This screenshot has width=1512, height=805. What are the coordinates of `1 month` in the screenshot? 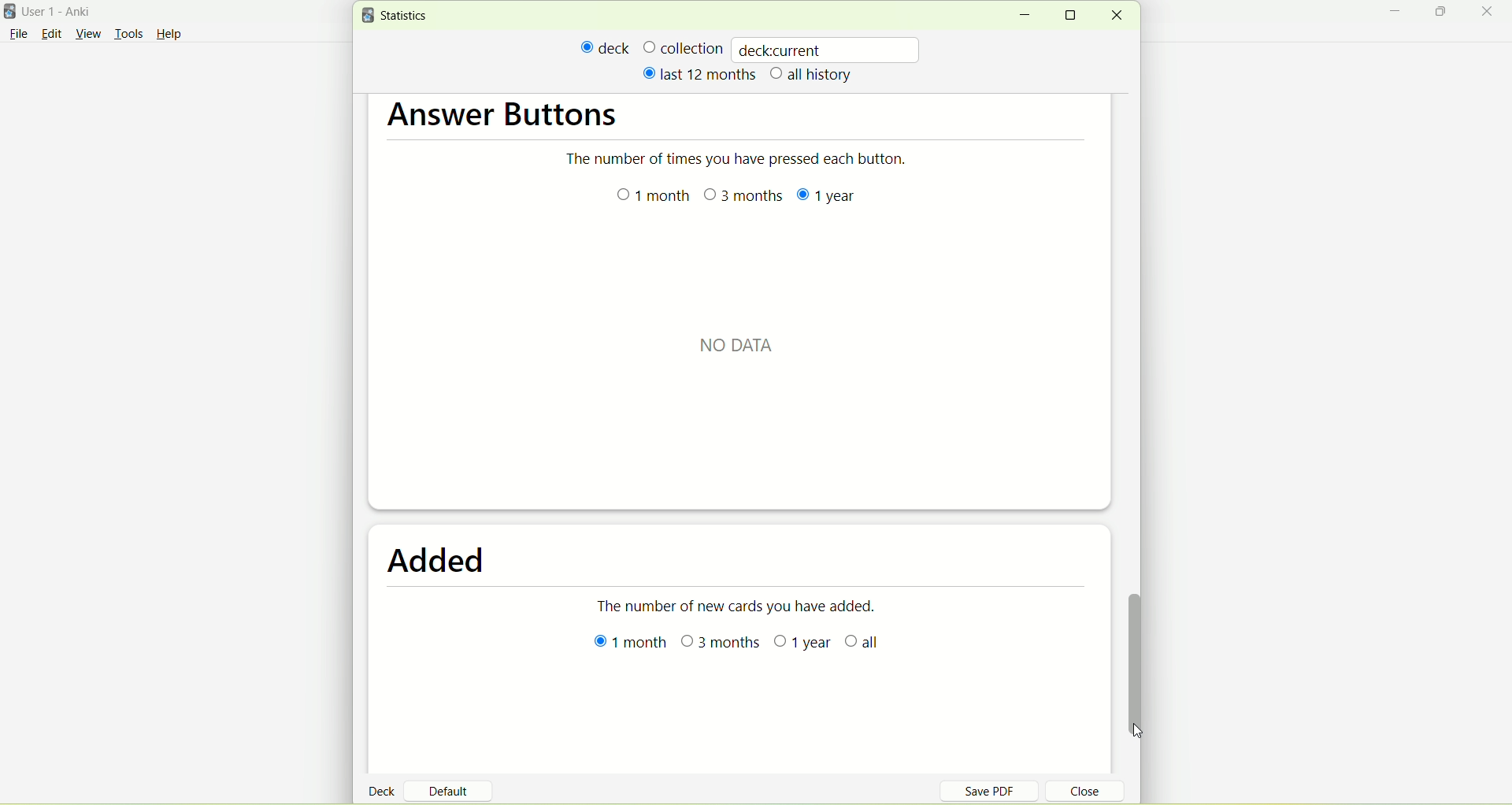 It's located at (655, 199).